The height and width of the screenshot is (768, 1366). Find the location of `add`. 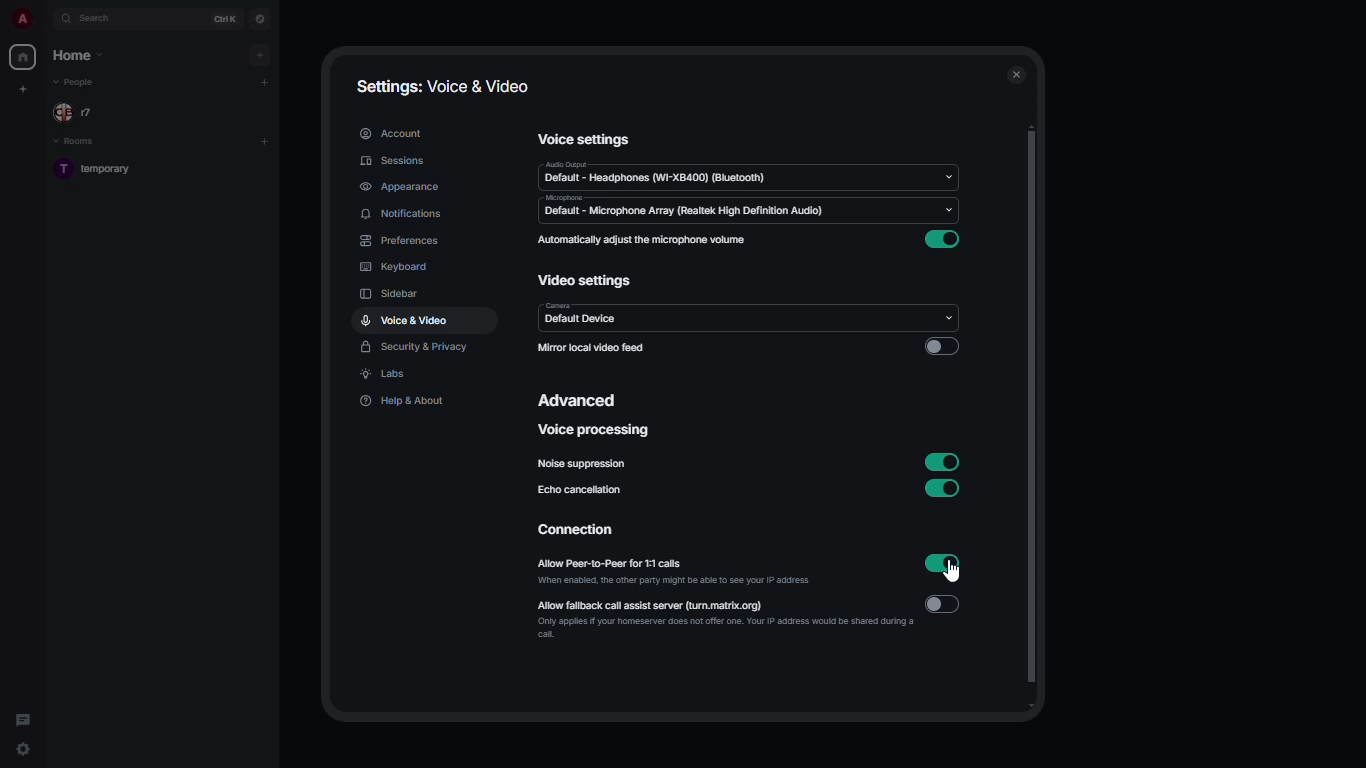

add is located at coordinates (267, 82).